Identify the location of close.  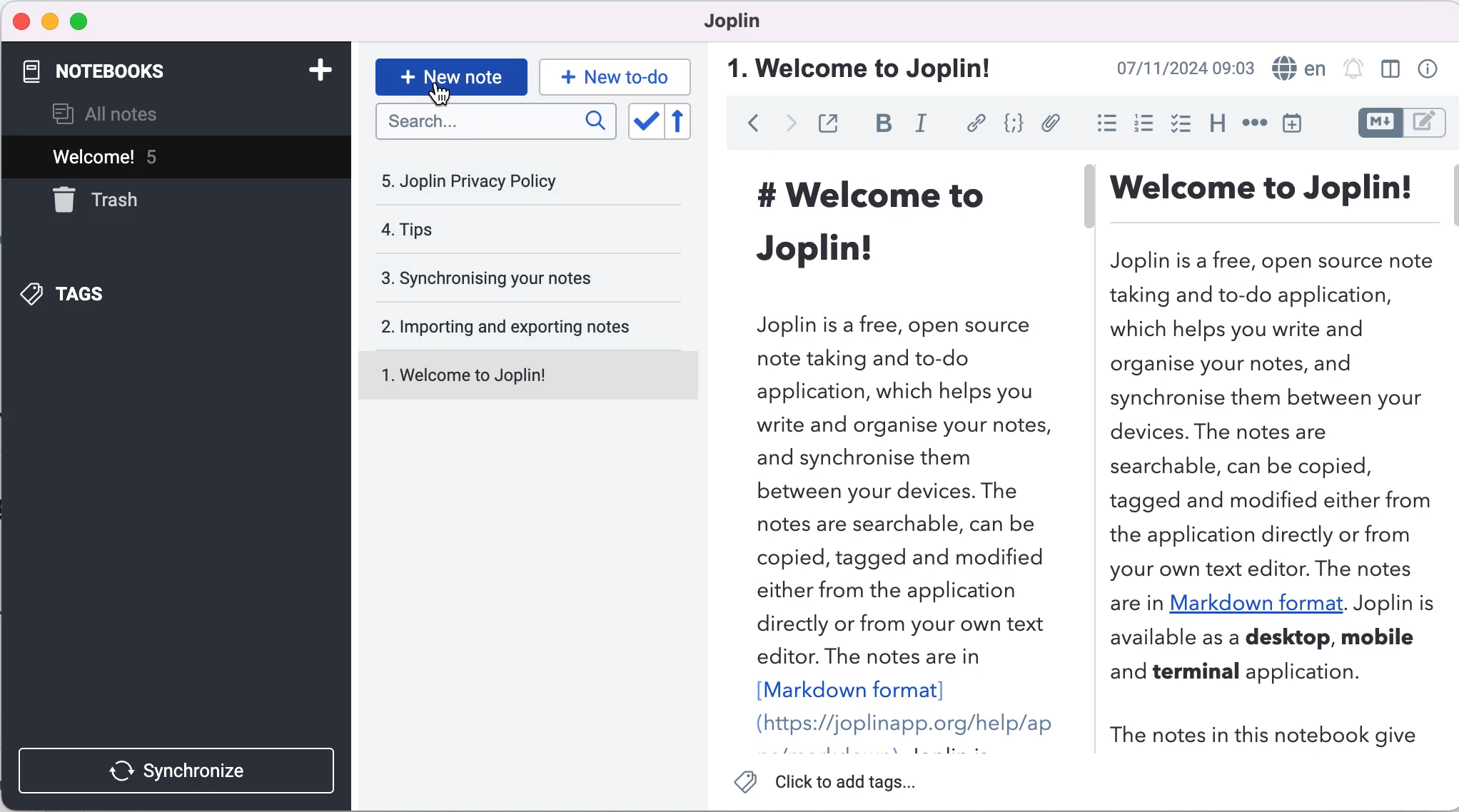
(22, 19).